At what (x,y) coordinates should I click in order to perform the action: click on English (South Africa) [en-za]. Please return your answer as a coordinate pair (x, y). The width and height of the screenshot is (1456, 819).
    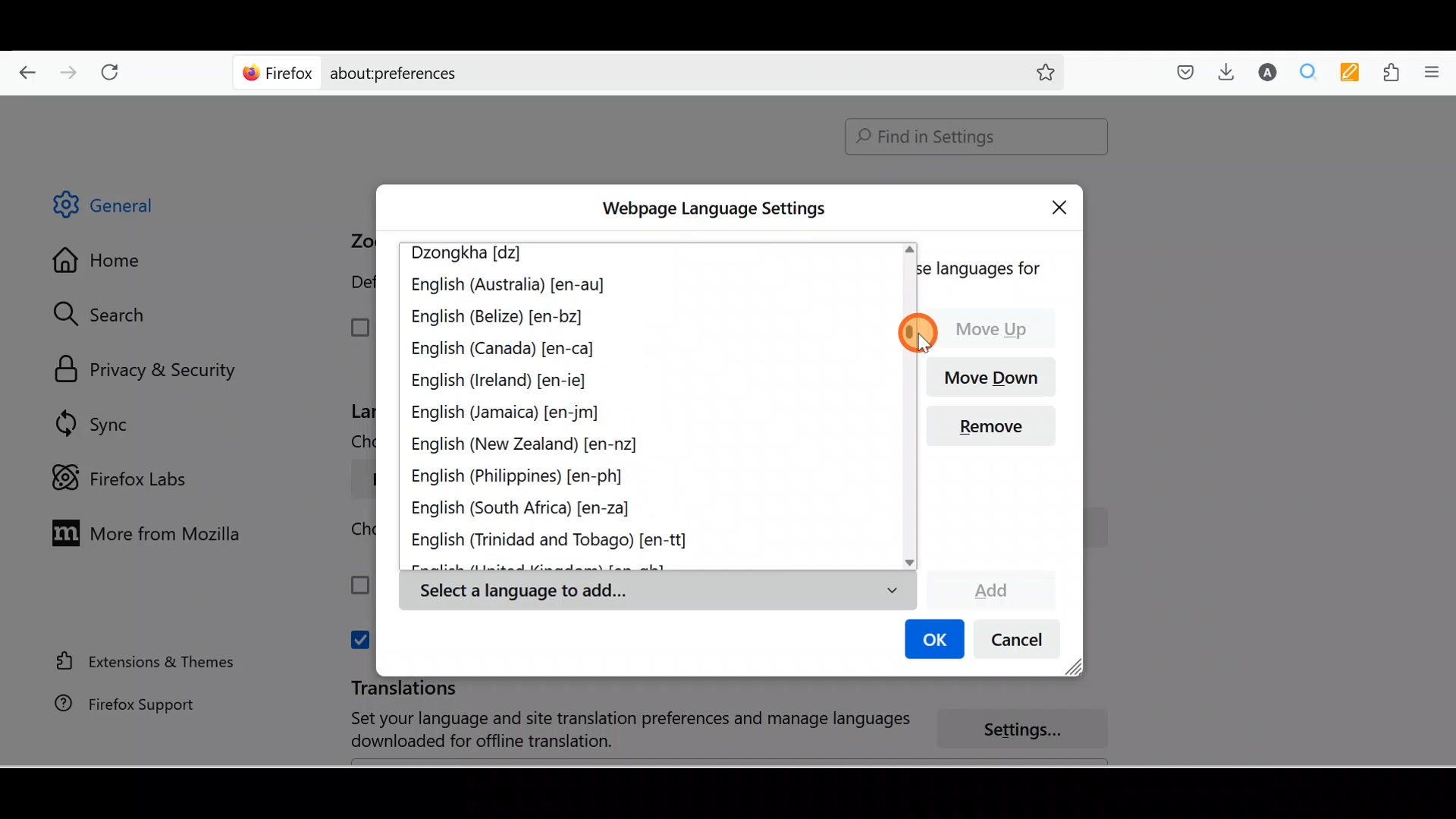
    Looking at the image, I should click on (531, 510).